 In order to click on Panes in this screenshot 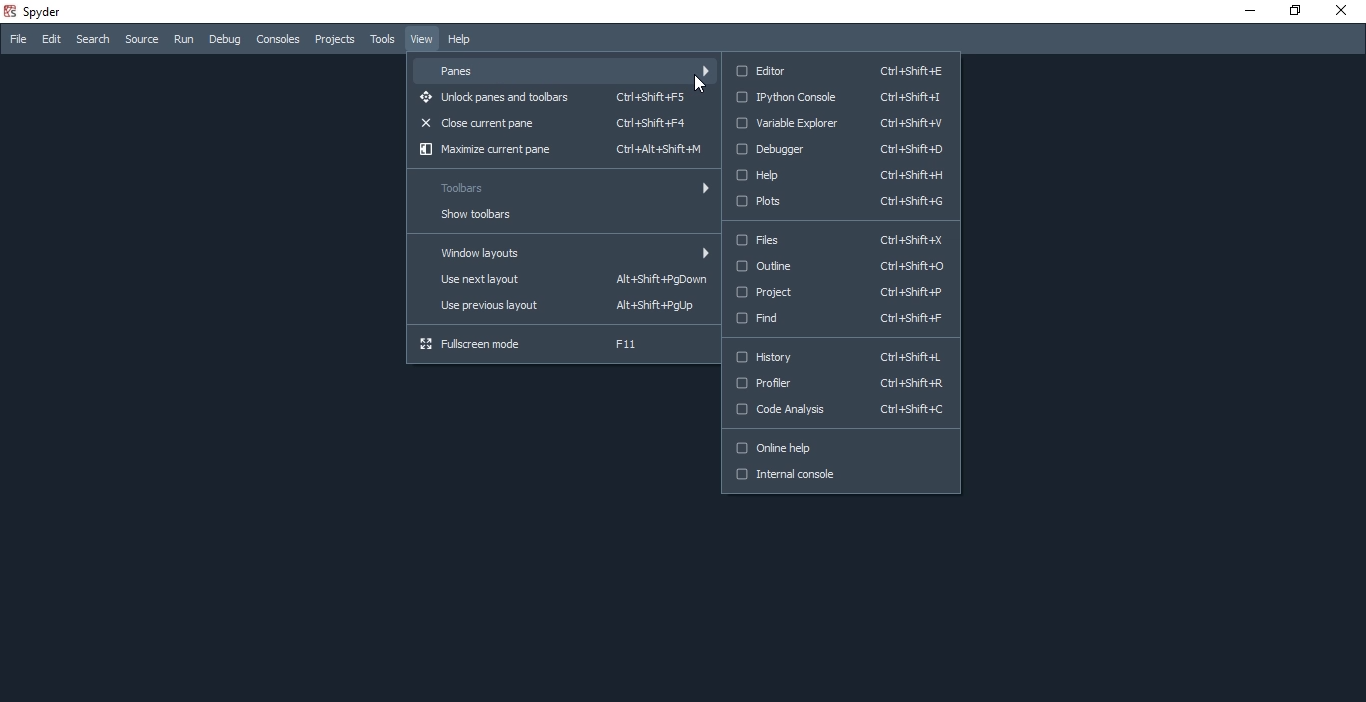, I will do `click(566, 68)`.